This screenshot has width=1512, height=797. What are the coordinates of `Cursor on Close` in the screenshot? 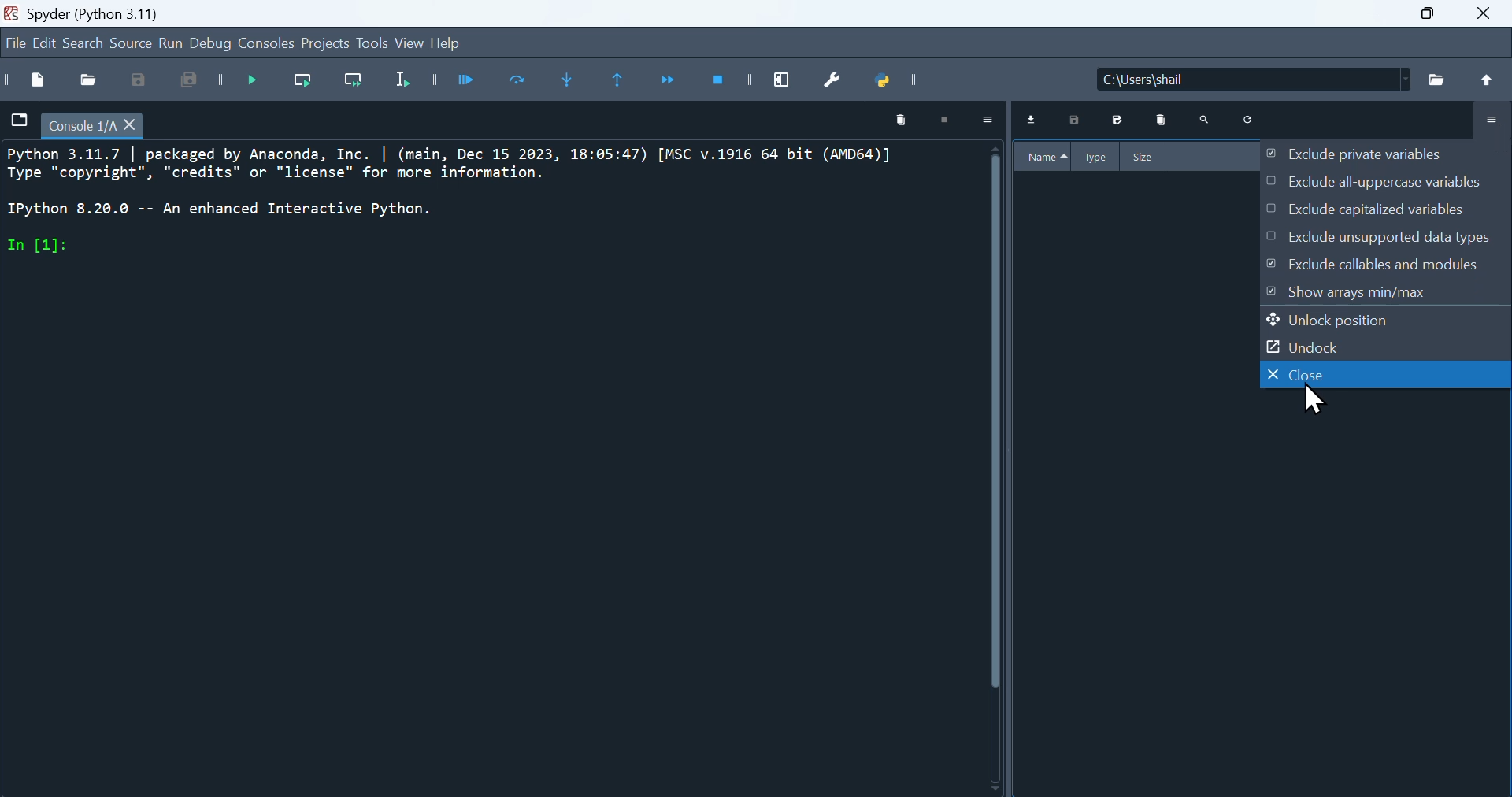 It's located at (1310, 399).